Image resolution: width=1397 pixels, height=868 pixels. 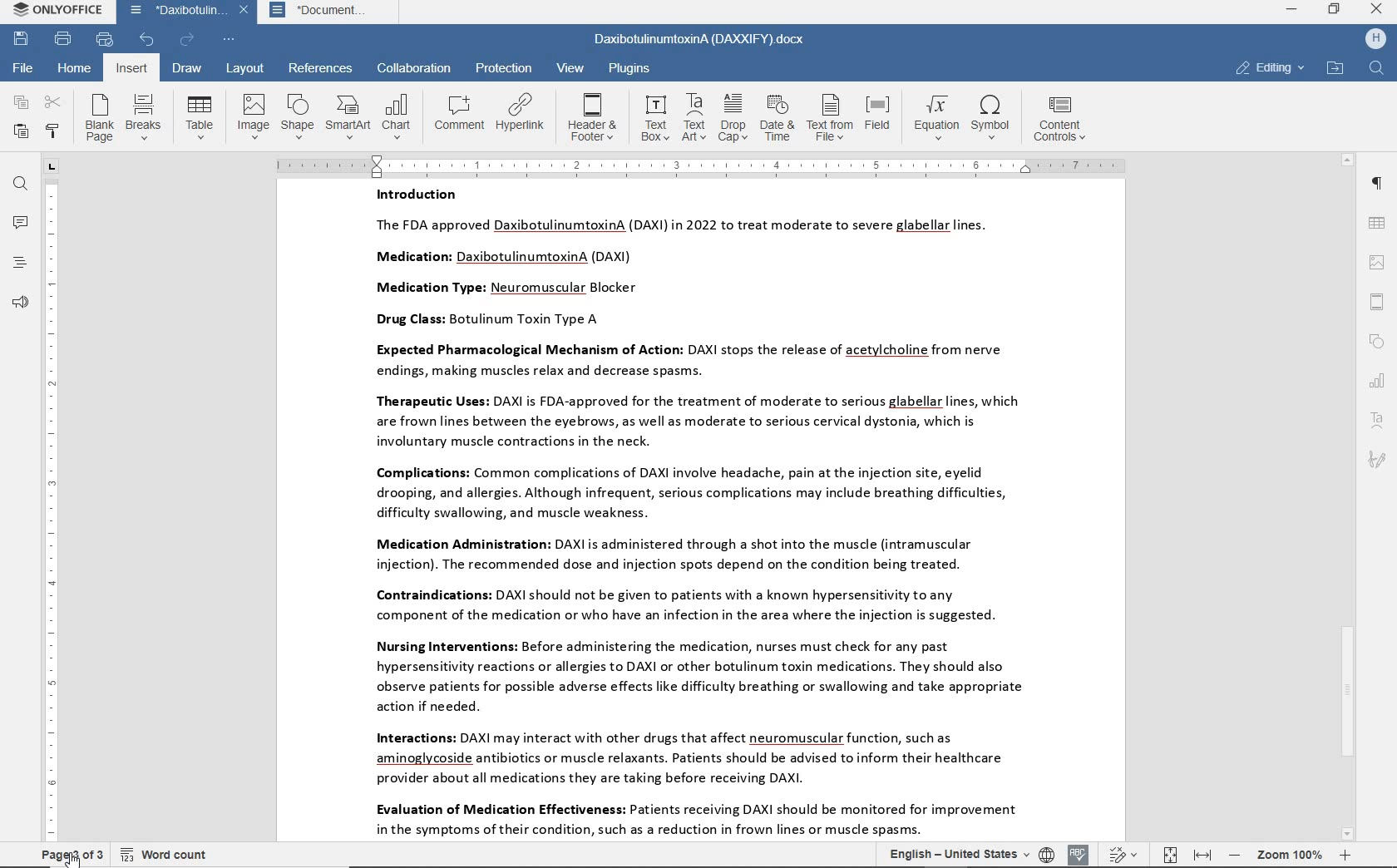 What do you see at coordinates (1375, 183) in the screenshot?
I see `paragraph settings` at bounding box center [1375, 183].